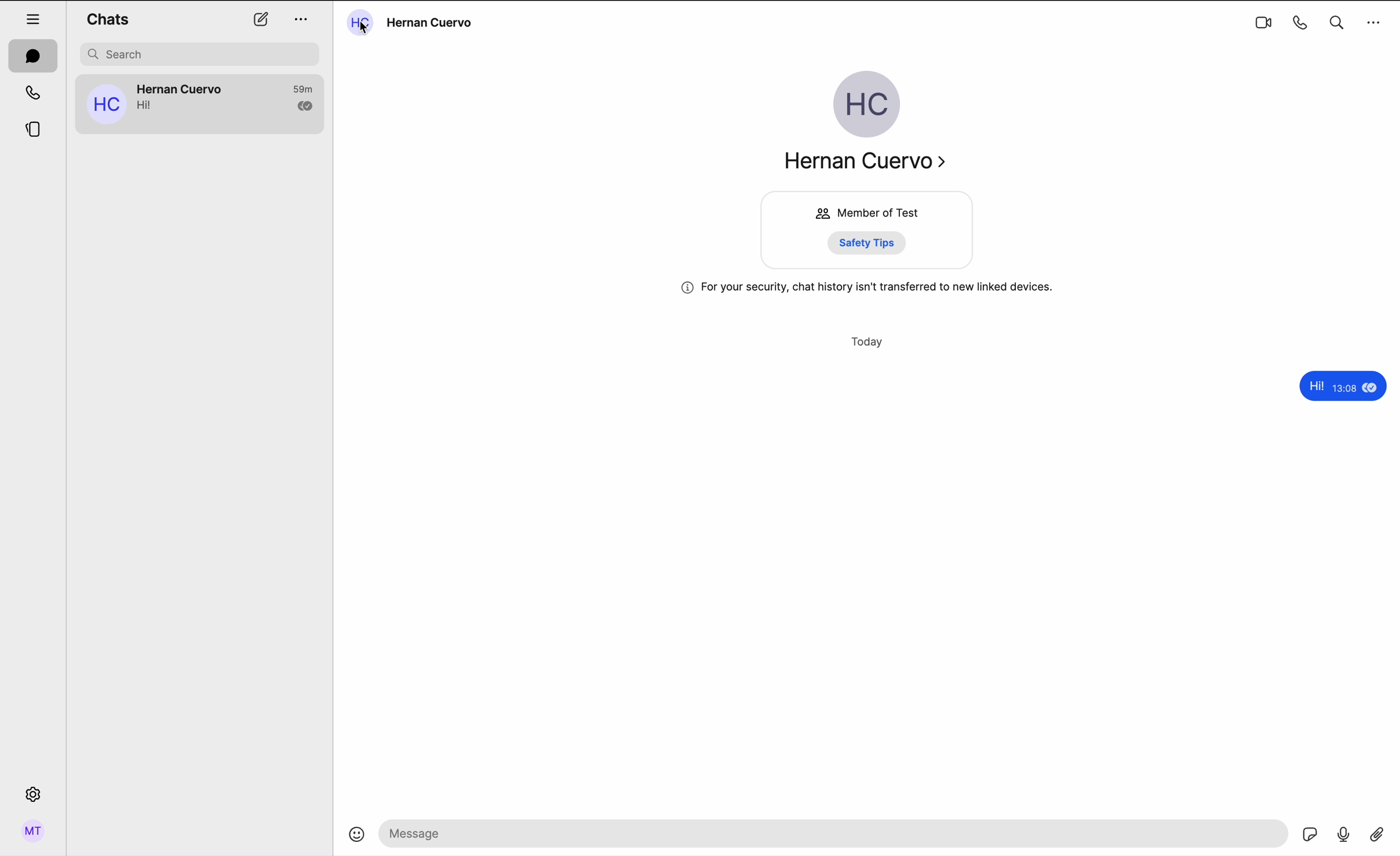 This screenshot has height=856, width=1400. Describe the element at coordinates (1374, 24) in the screenshot. I see `options` at that location.